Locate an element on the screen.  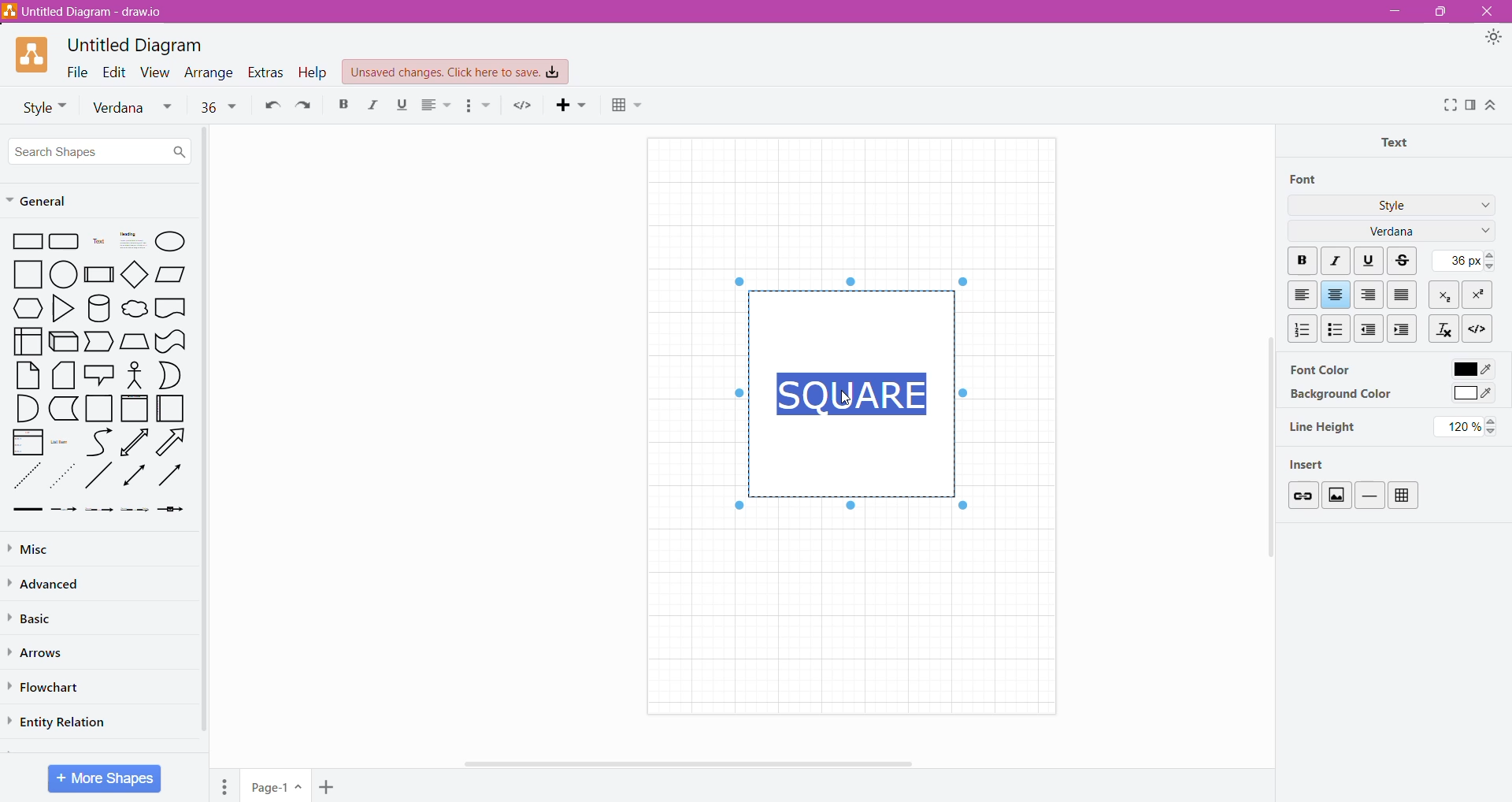
Stick Figure  is located at coordinates (135, 373).